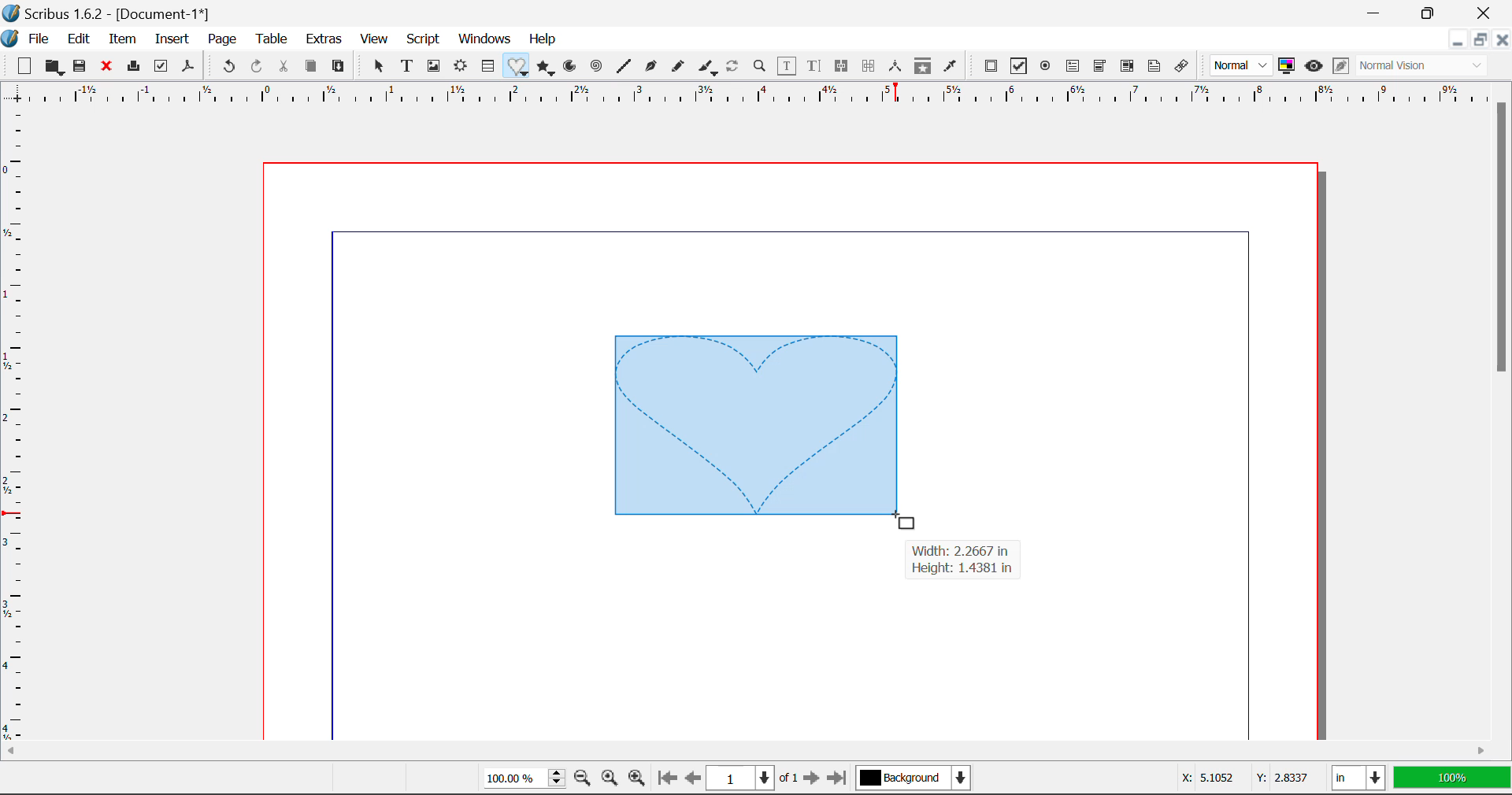 The width and height of the screenshot is (1512, 795). What do you see at coordinates (9, 39) in the screenshot?
I see `Scribus Logo` at bounding box center [9, 39].